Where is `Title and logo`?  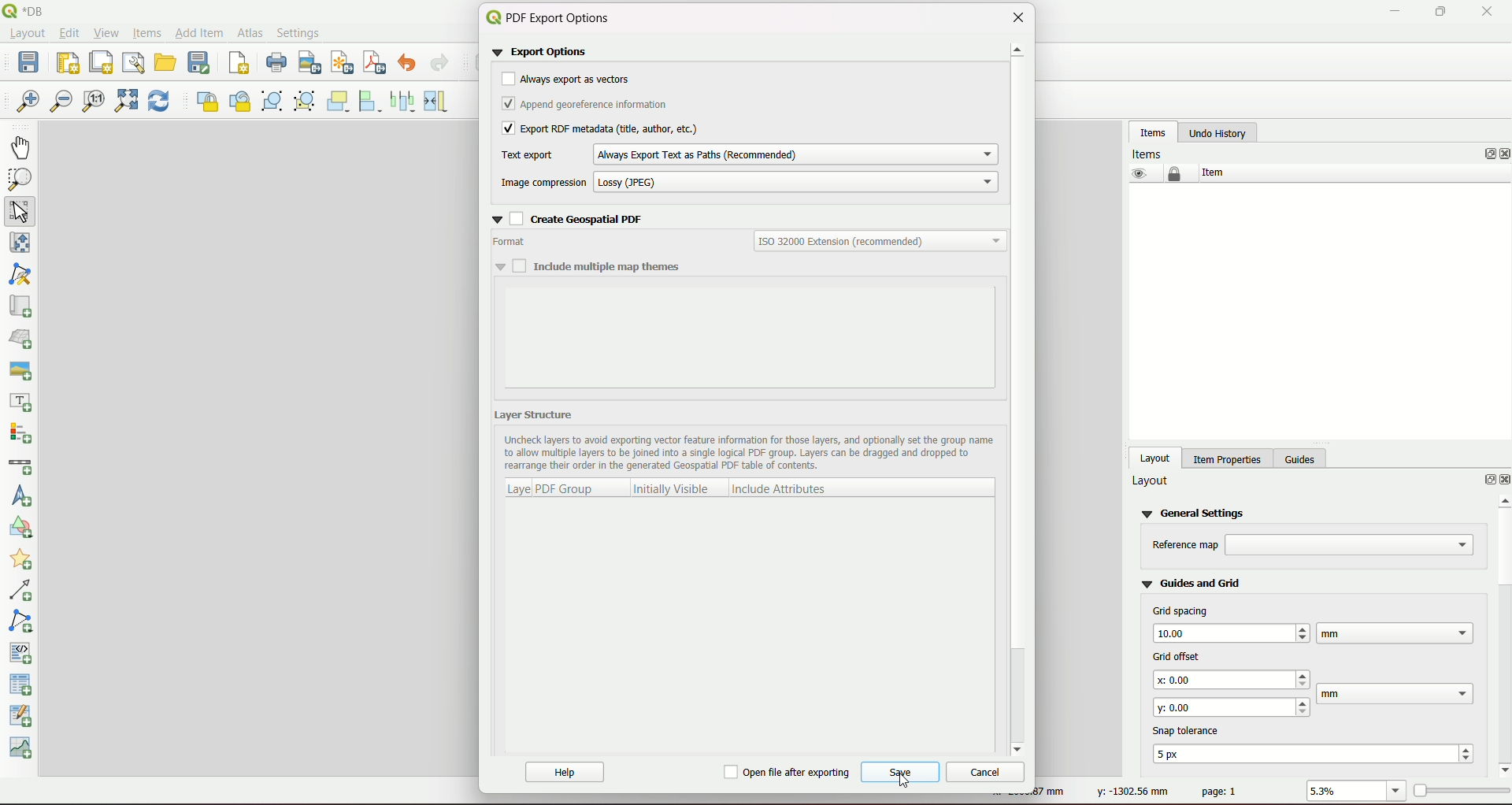 Title and logo is located at coordinates (554, 18).